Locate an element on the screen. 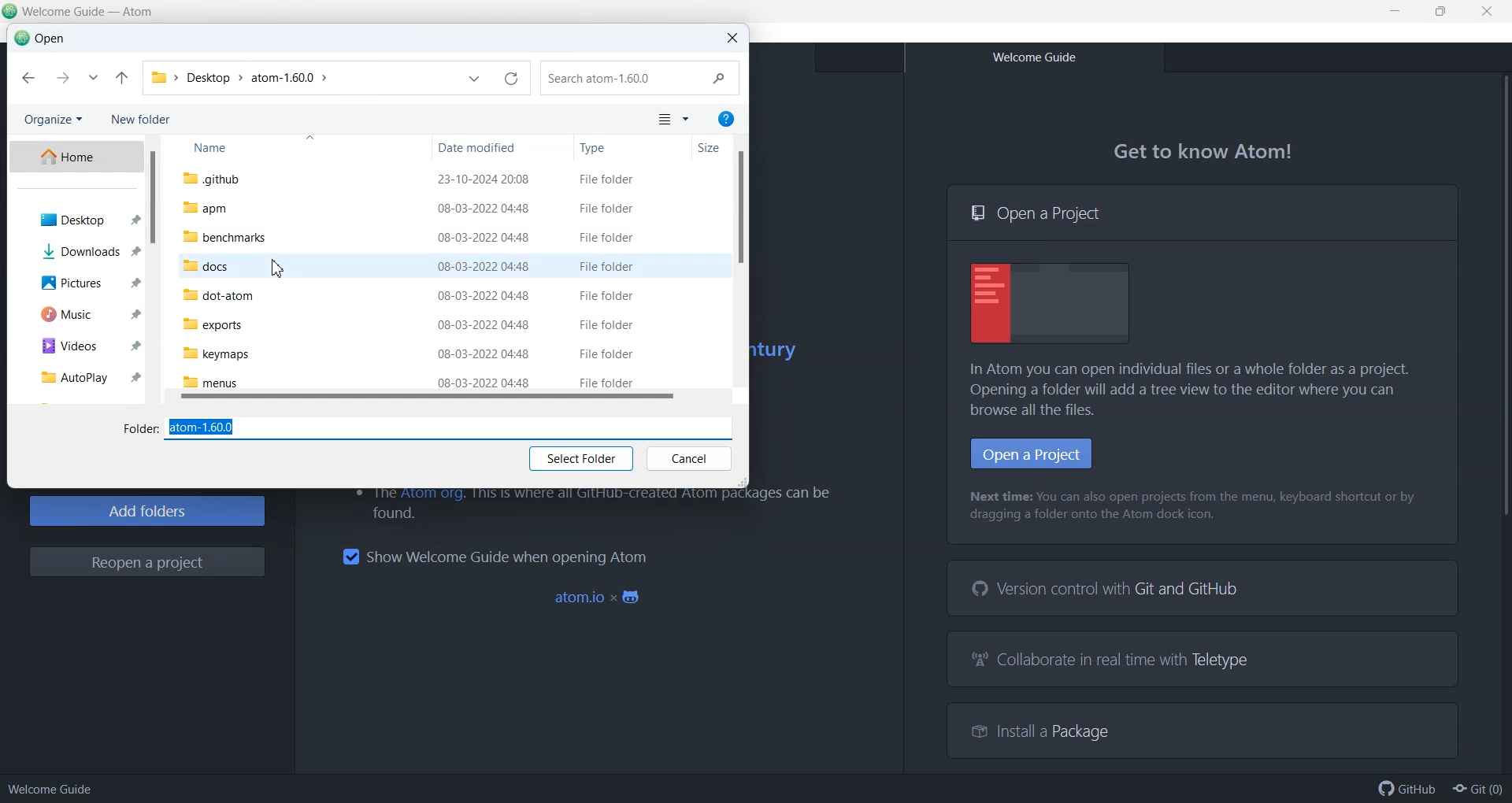 The width and height of the screenshot is (1512, 803). The Atom org. This is where all GitHub-created Atom packages can be found. is located at coordinates (587, 505).